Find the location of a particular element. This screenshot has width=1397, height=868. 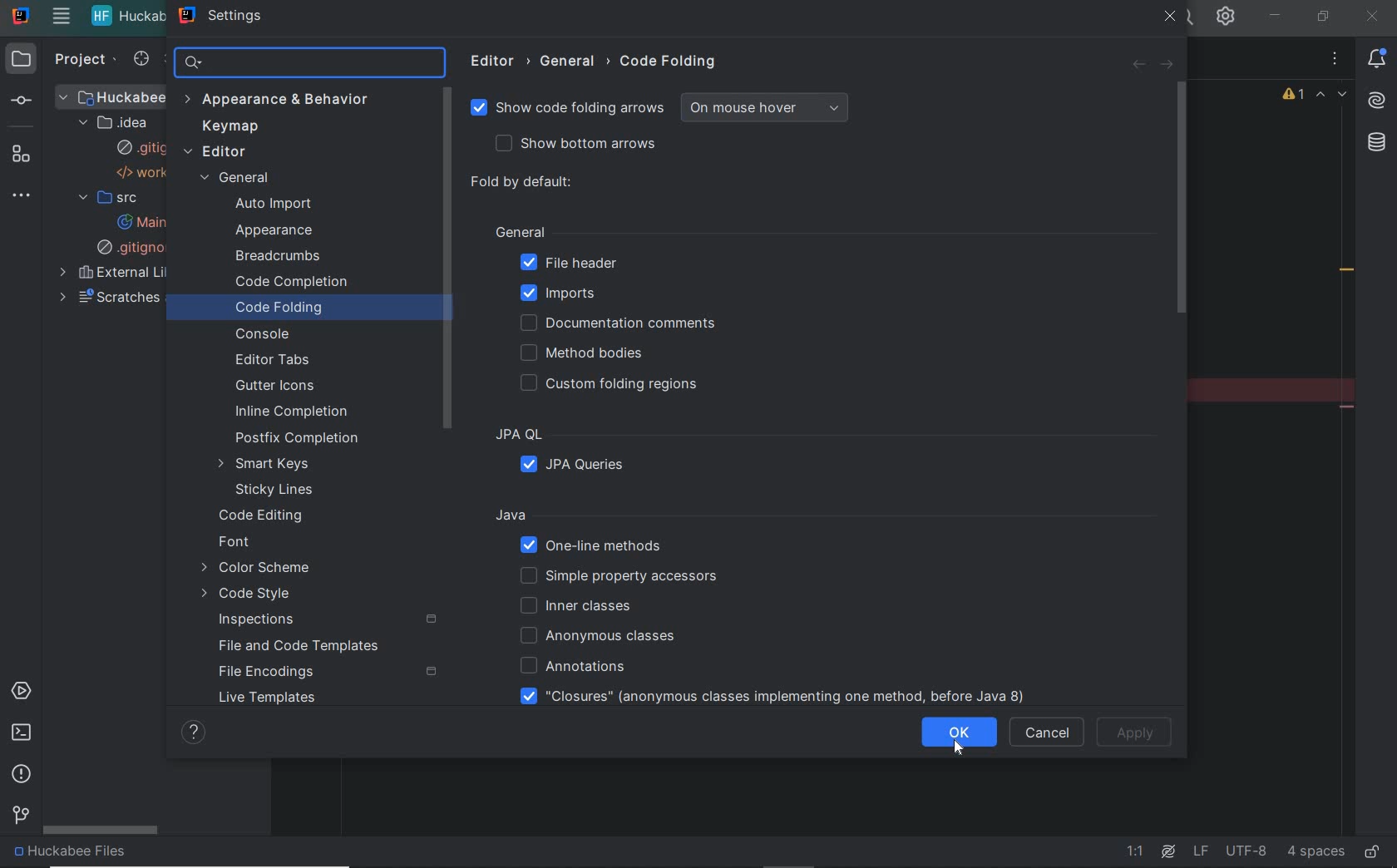

services is located at coordinates (25, 691).